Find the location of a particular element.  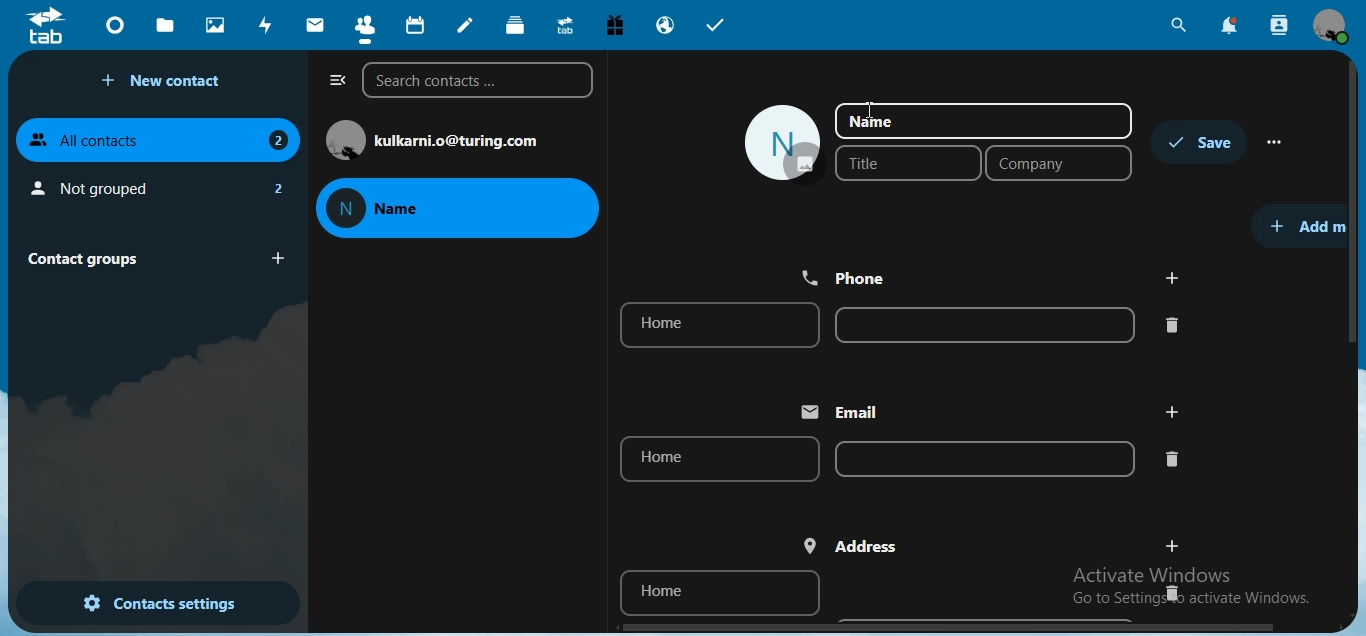

more is located at coordinates (1277, 142).